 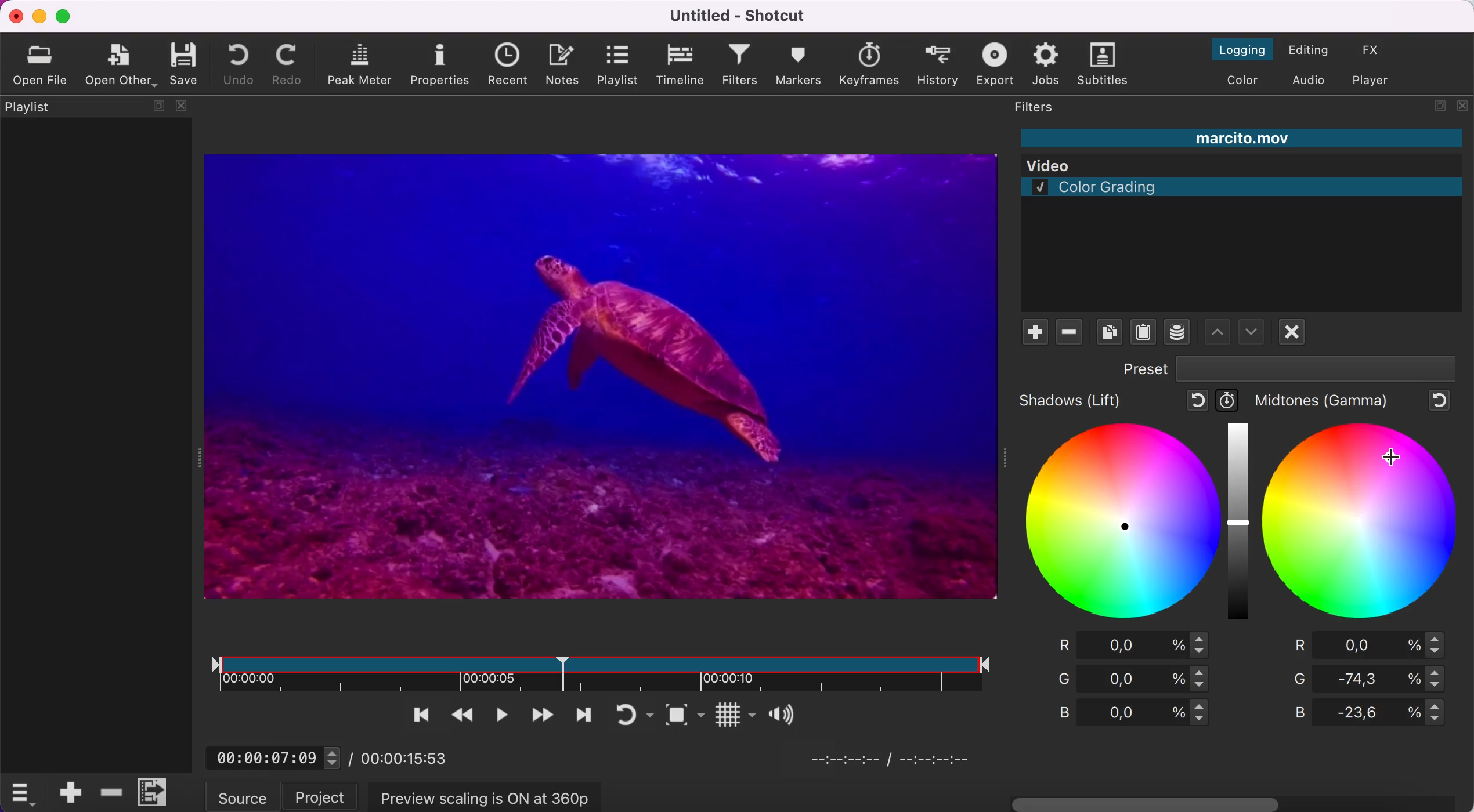 What do you see at coordinates (1247, 244) in the screenshot?
I see `color grading filter` at bounding box center [1247, 244].